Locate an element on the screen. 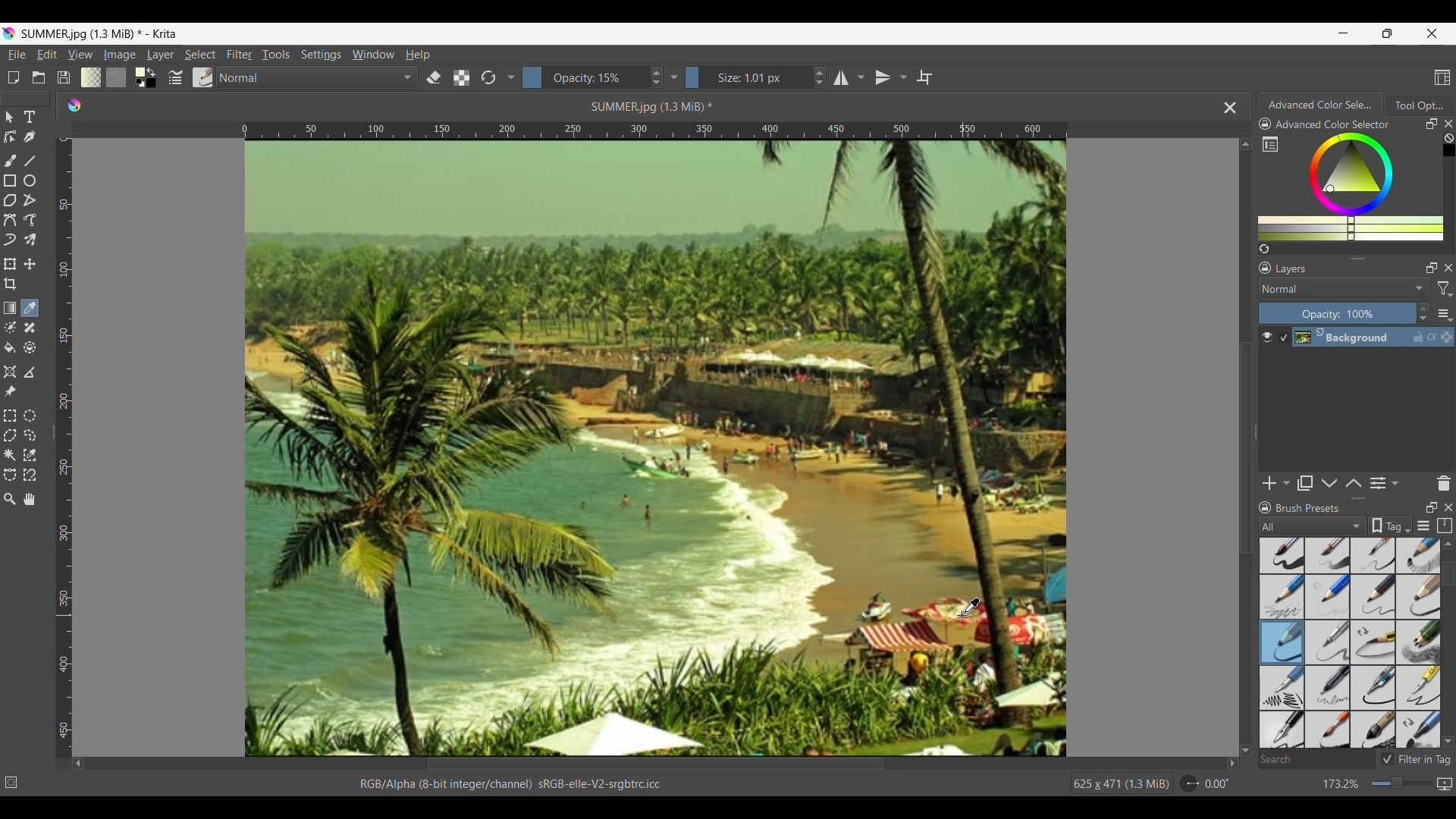 The width and height of the screenshot is (1456, 819). Crop tool is located at coordinates (10, 284).